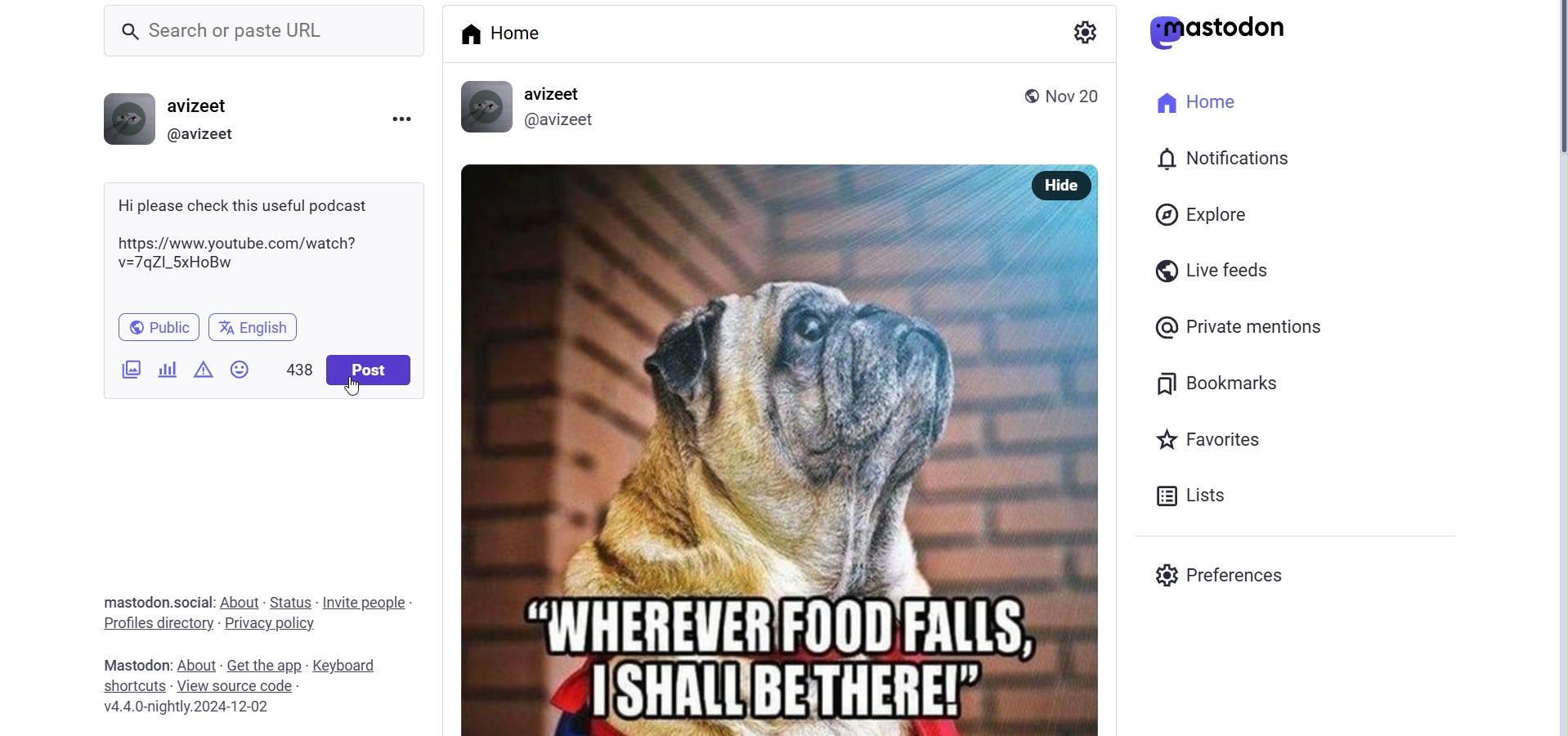  I want to click on status, so click(291, 600).